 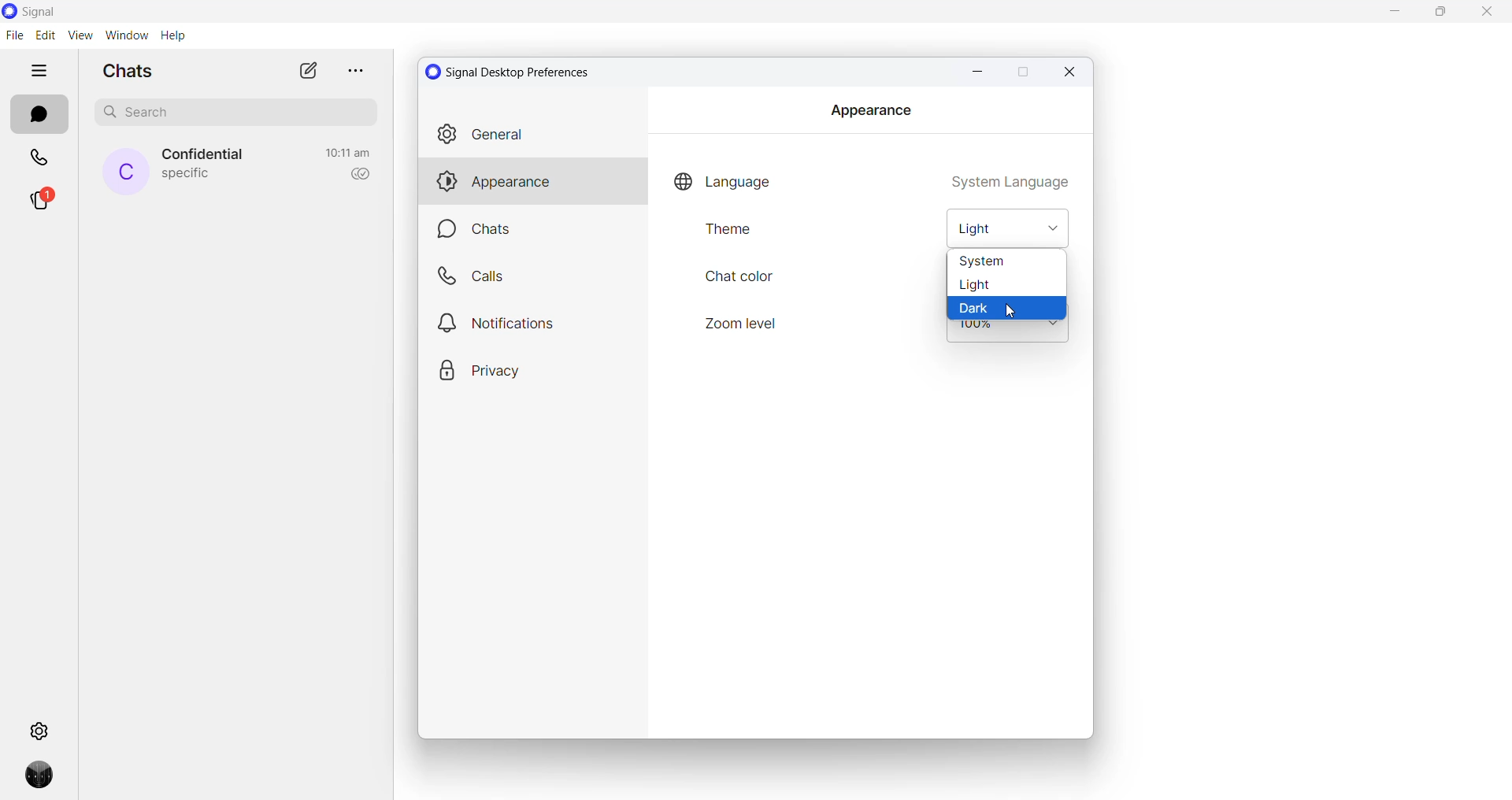 I want to click on desktop preferences heading, so click(x=512, y=72).